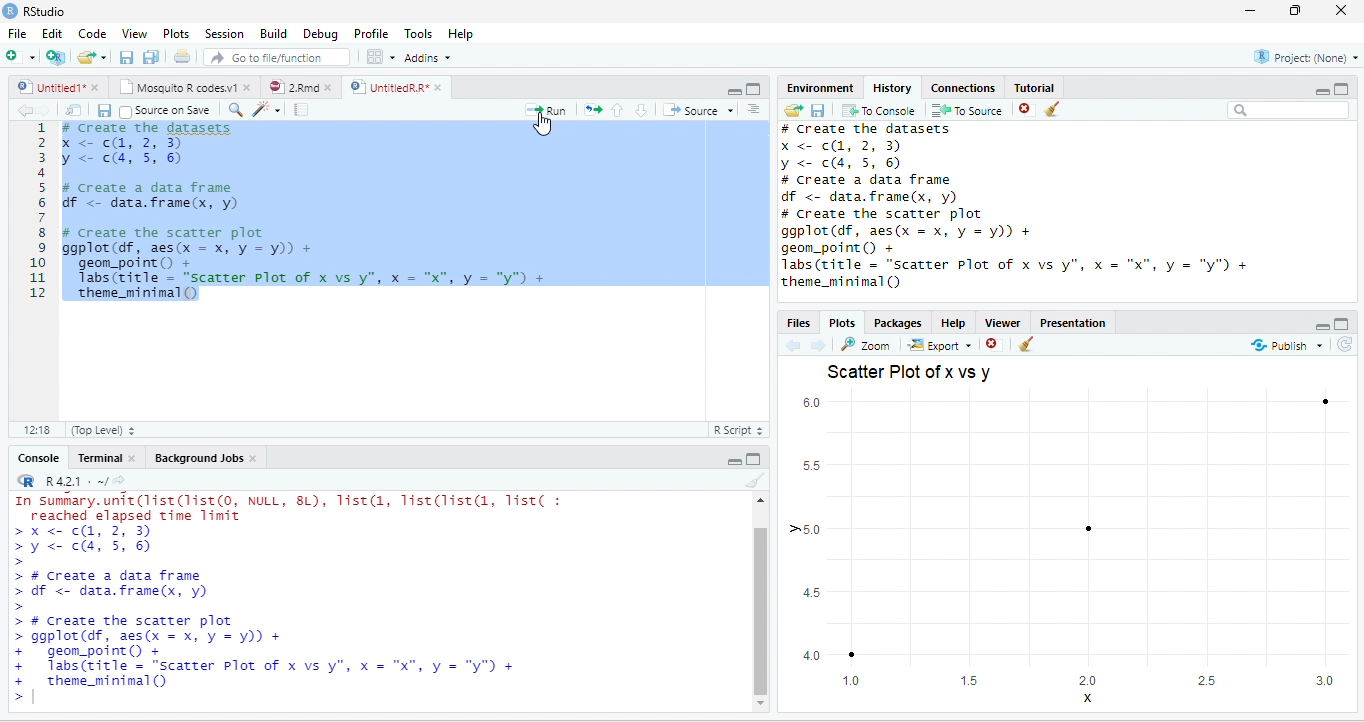 Image resolution: width=1364 pixels, height=722 pixels. What do you see at coordinates (1053, 109) in the screenshot?
I see `Clear all history entries` at bounding box center [1053, 109].